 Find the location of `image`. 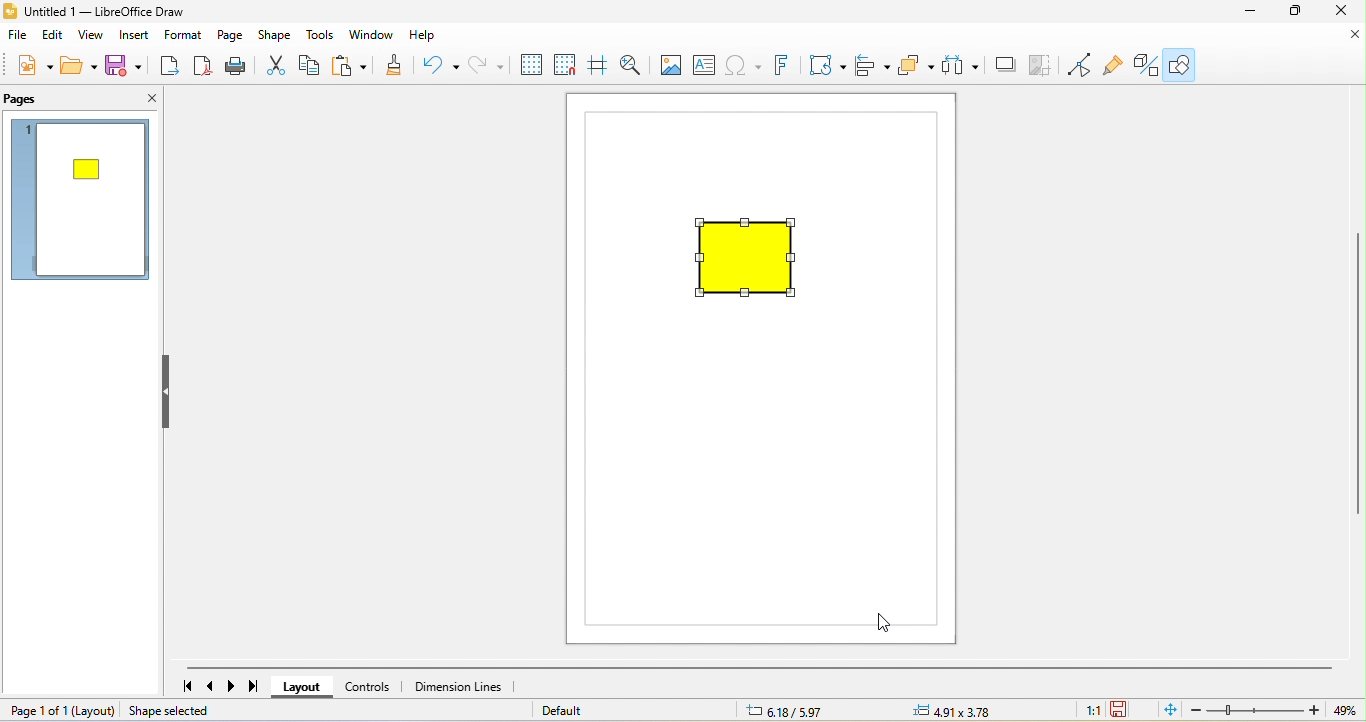

image is located at coordinates (670, 64).